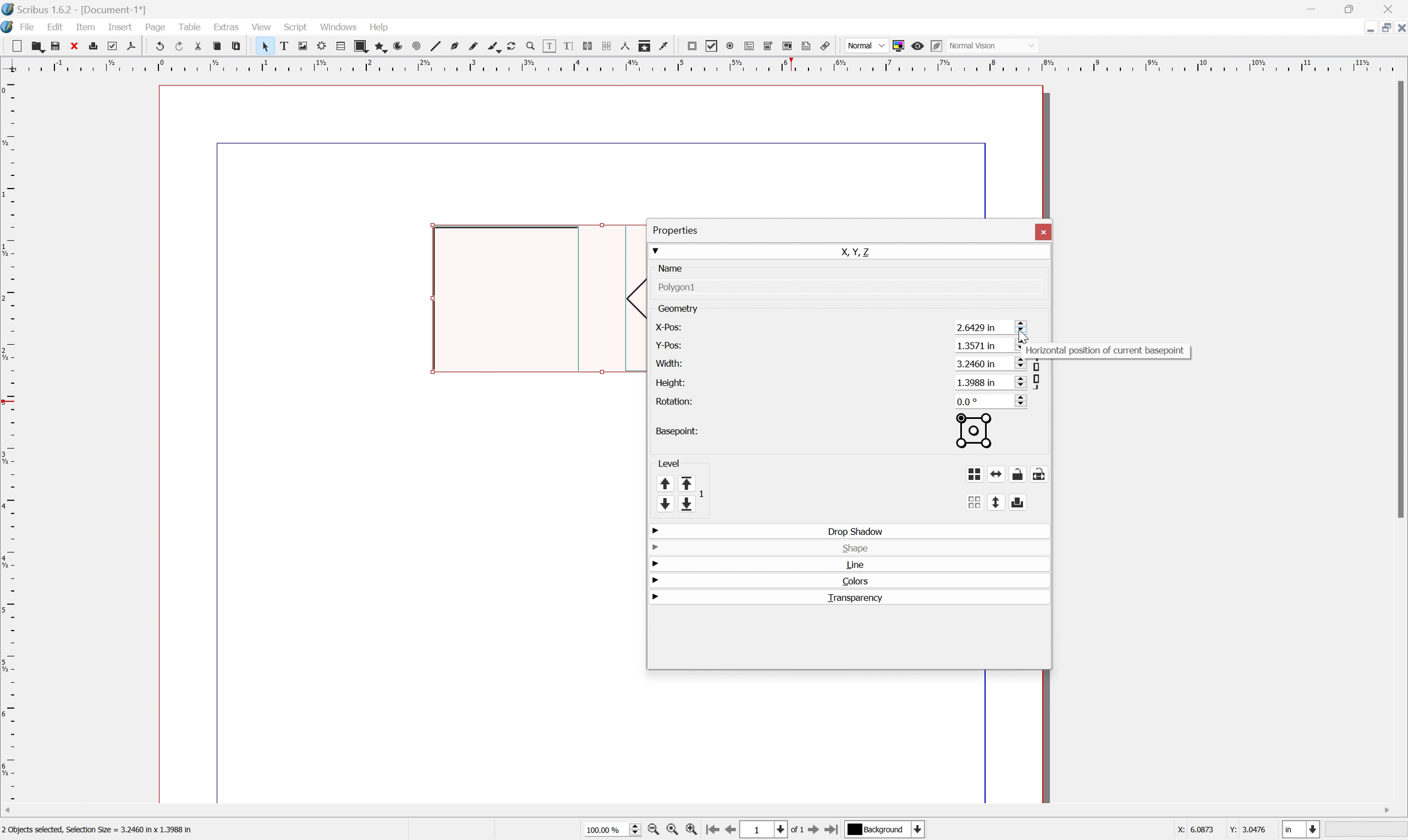  Describe the element at coordinates (656, 597) in the screenshot. I see `drop down` at that location.